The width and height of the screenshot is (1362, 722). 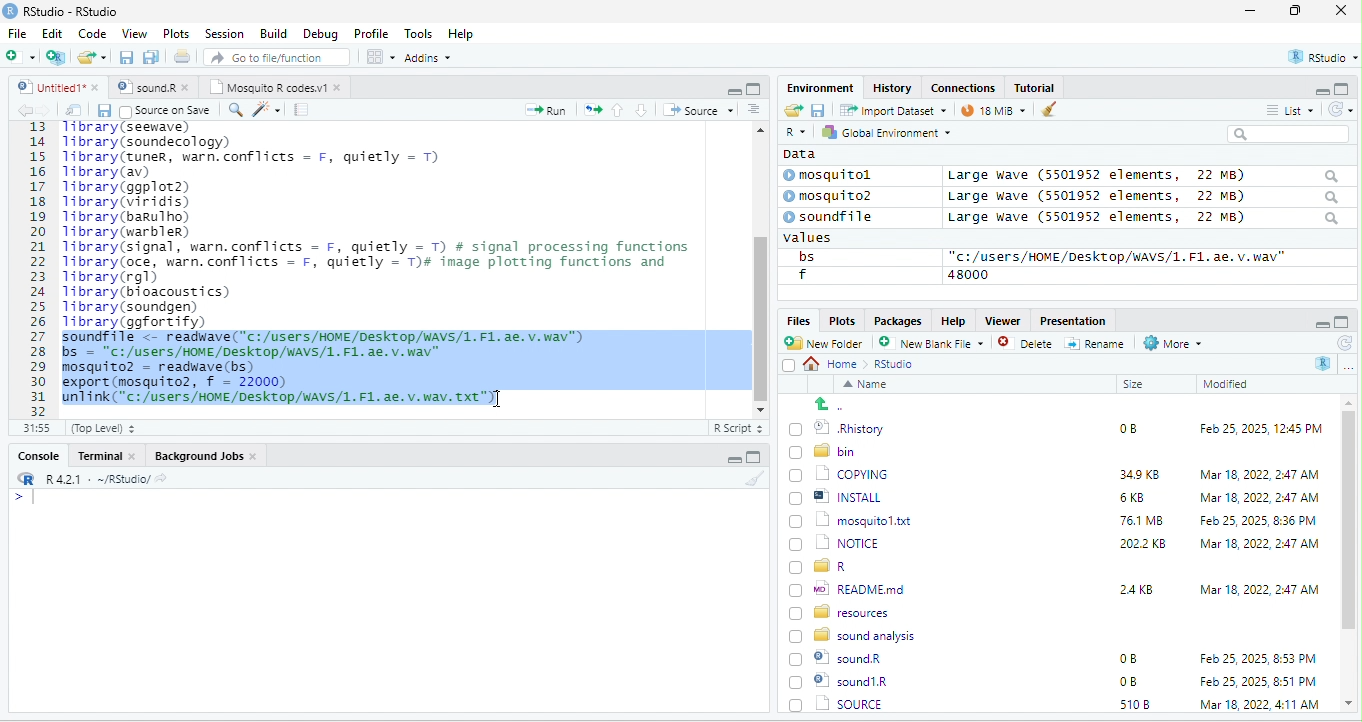 I want to click on 24KB, so click(x=1133, y=588).